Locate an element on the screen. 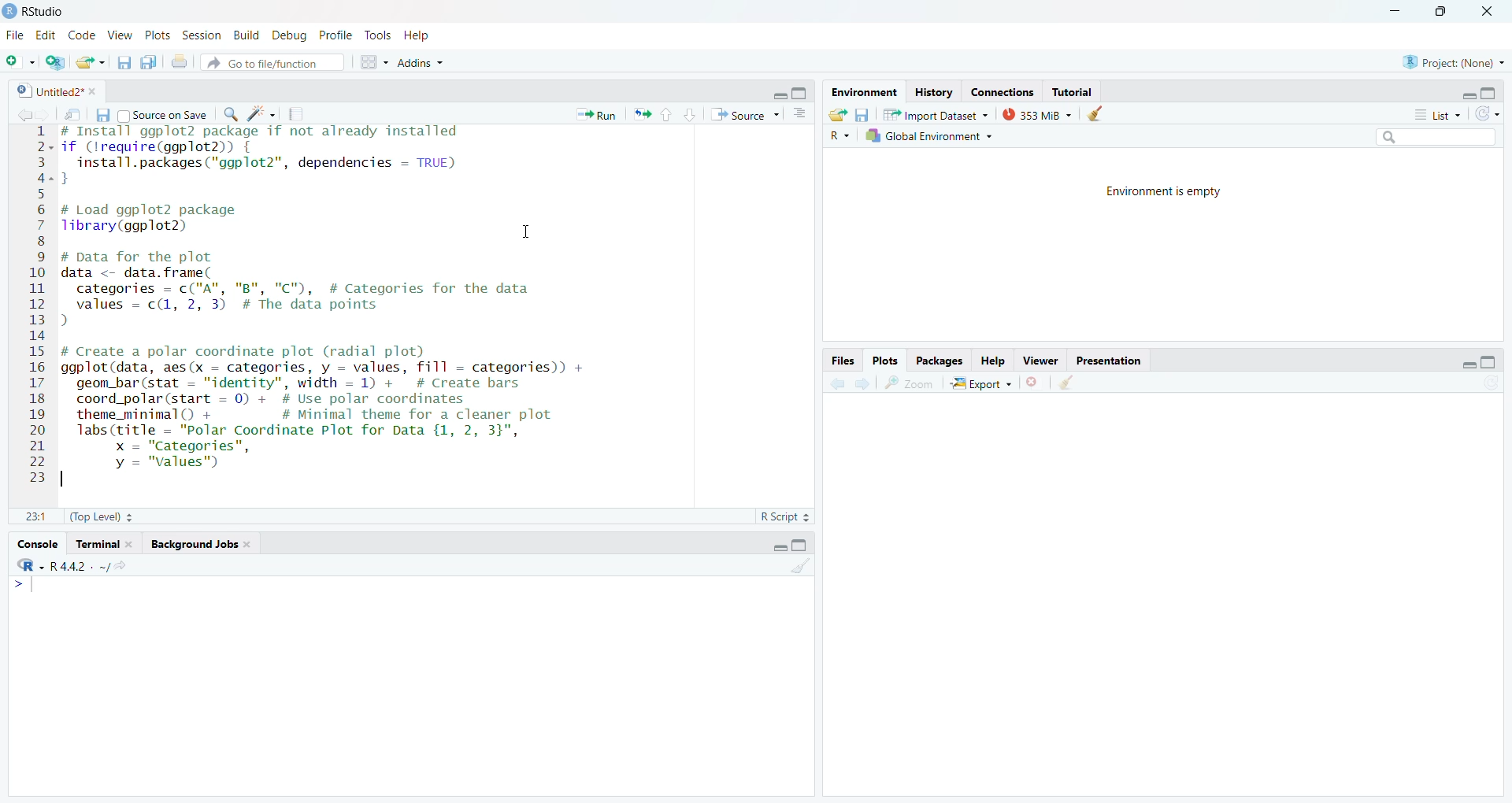 This screenshot has width=1512, height=803. save current file is located at coordinates (125, 63).